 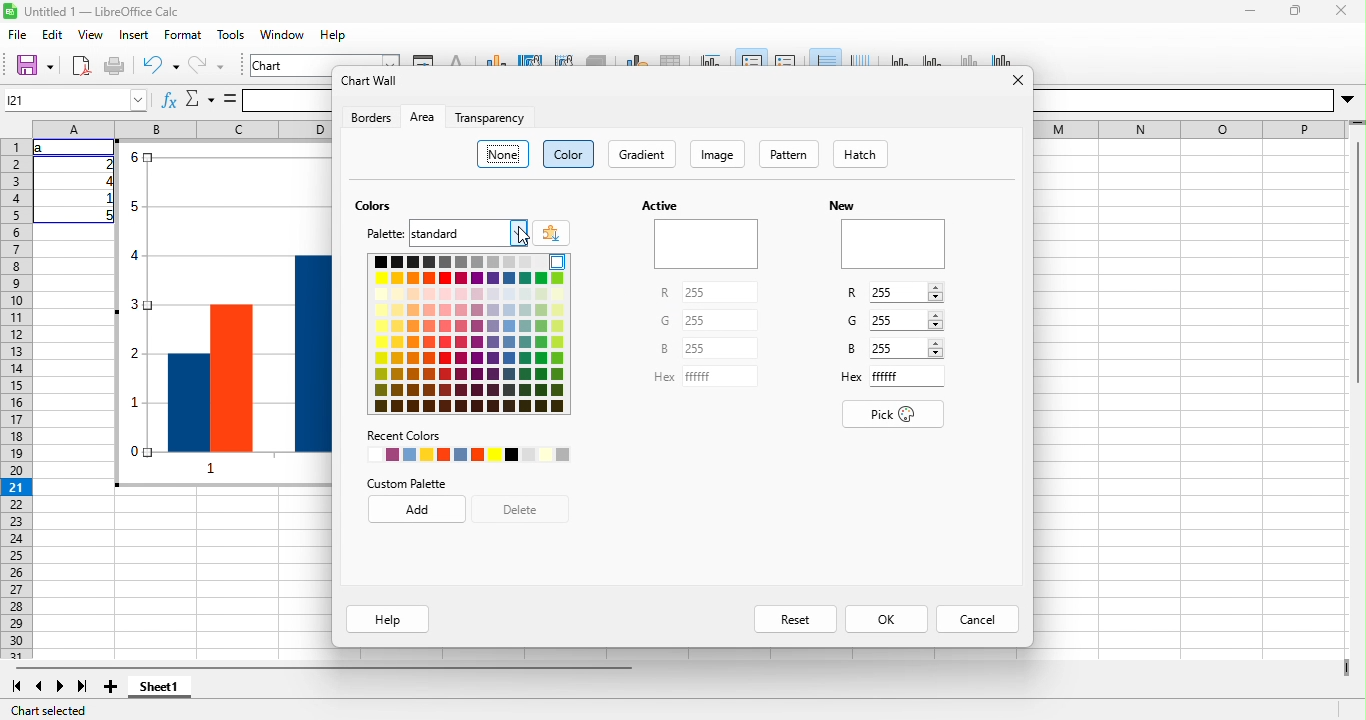 I want to click on add sheet, so click(x=111, y=686).